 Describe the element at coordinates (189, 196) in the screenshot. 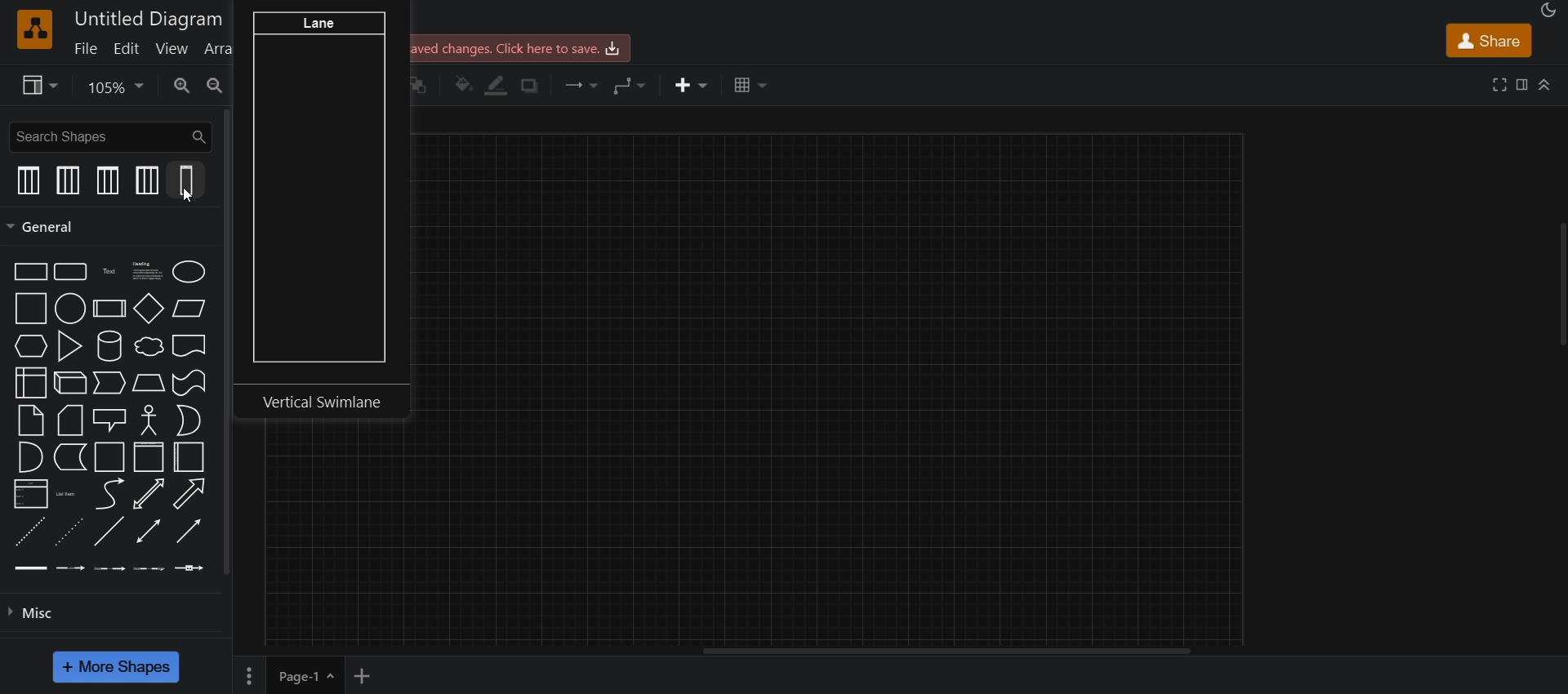

I see `cursor` at that location.